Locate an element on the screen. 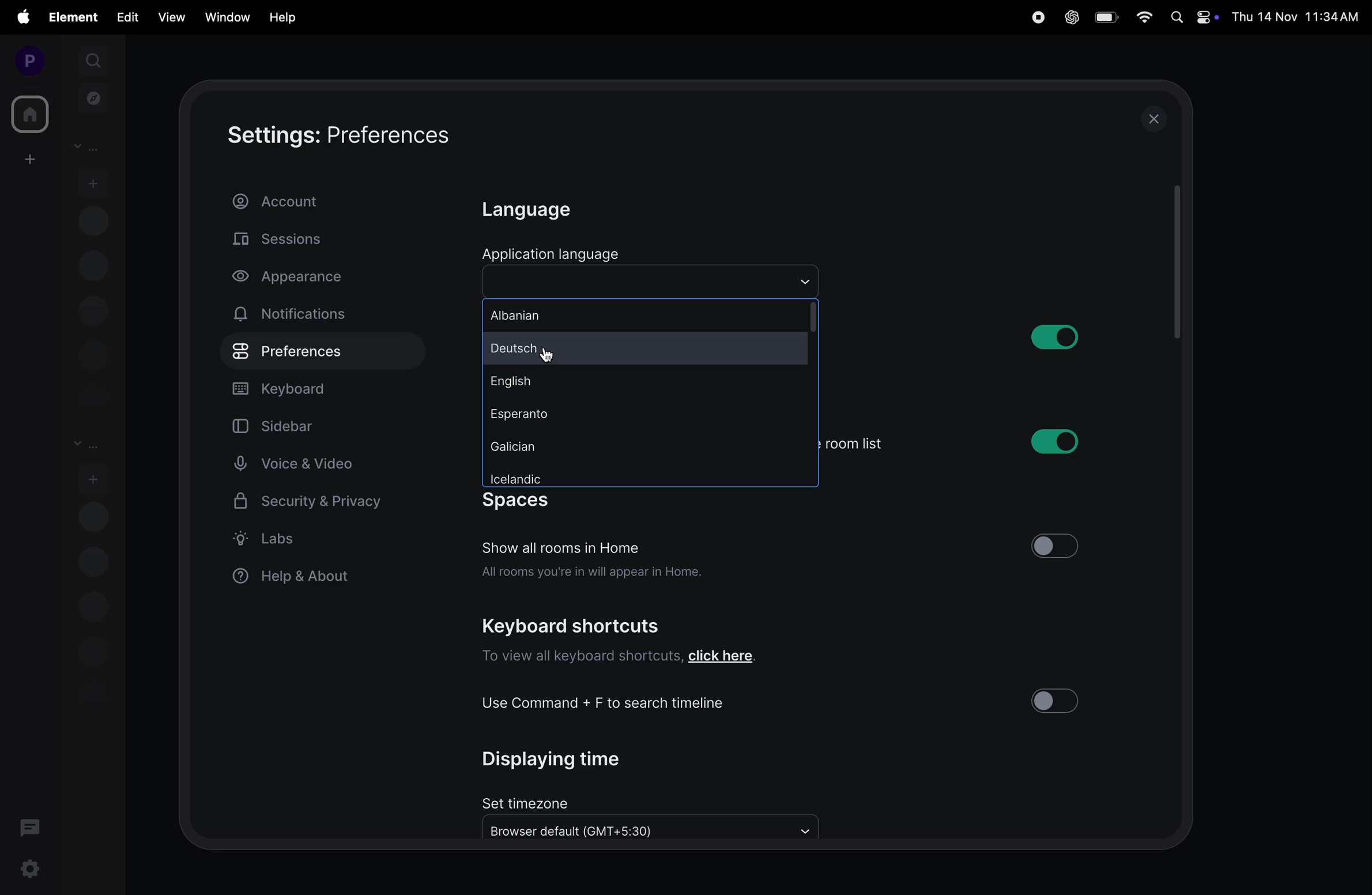 This screenshot has width=1372, height=895. use command + F to search timeline is located at coordinates (793, 702).